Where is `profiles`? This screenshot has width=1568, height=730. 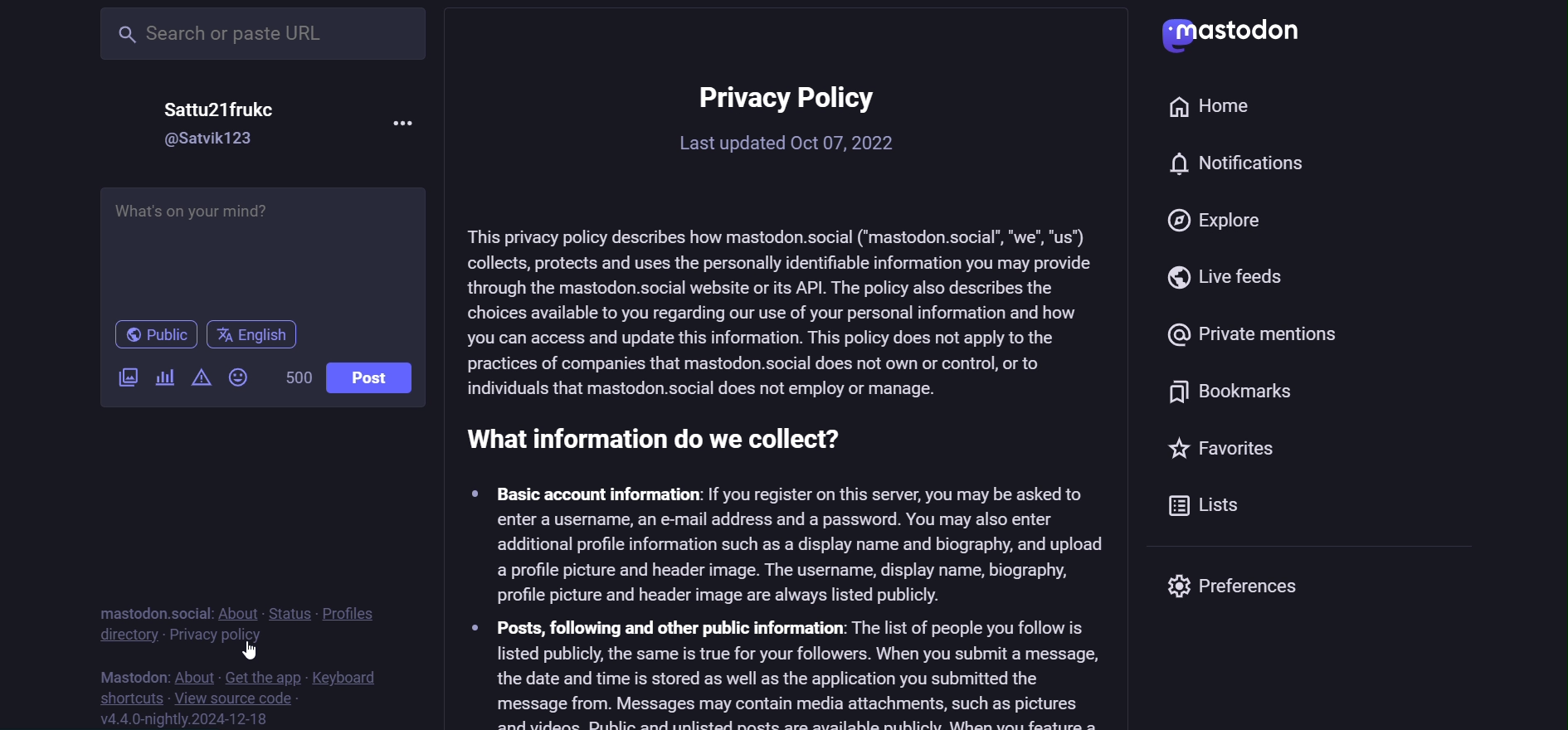 profiles is located at coordinates (353, 610).